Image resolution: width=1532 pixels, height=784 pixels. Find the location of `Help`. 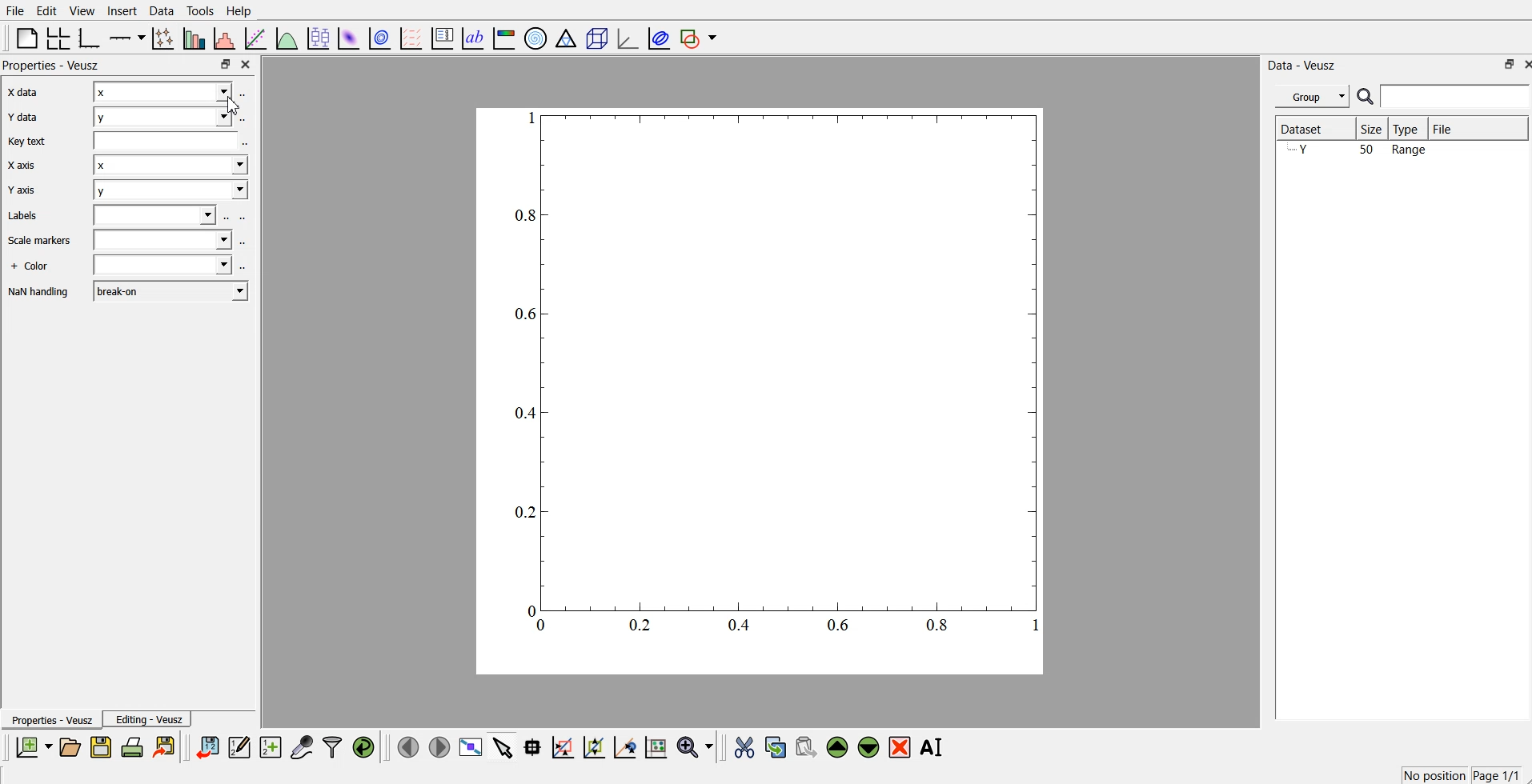

Help is located at coordinates (239, 12).